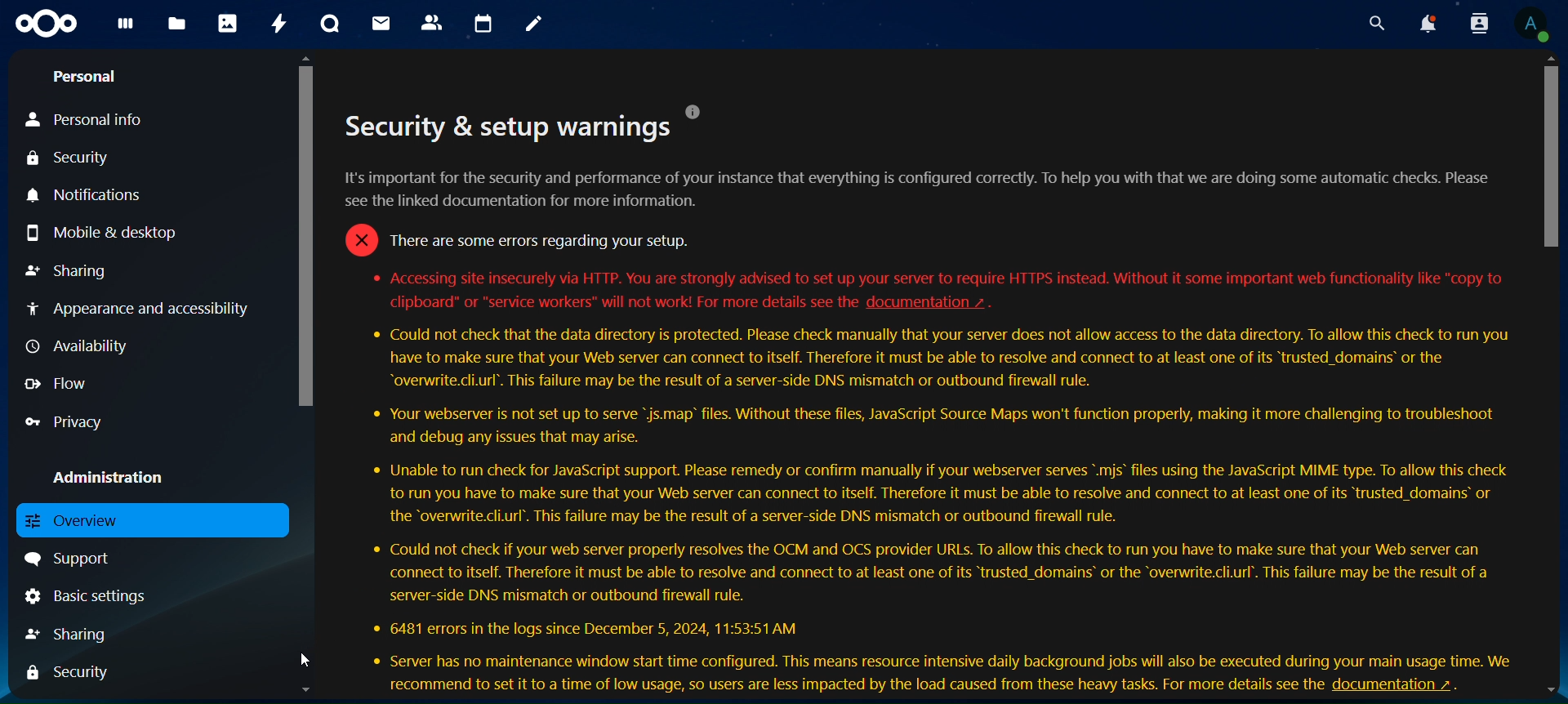 This screenshot has height=704, width=1568. Describe the element at coordinates (378, 23) in the screenshot. I see `mail` at that location.